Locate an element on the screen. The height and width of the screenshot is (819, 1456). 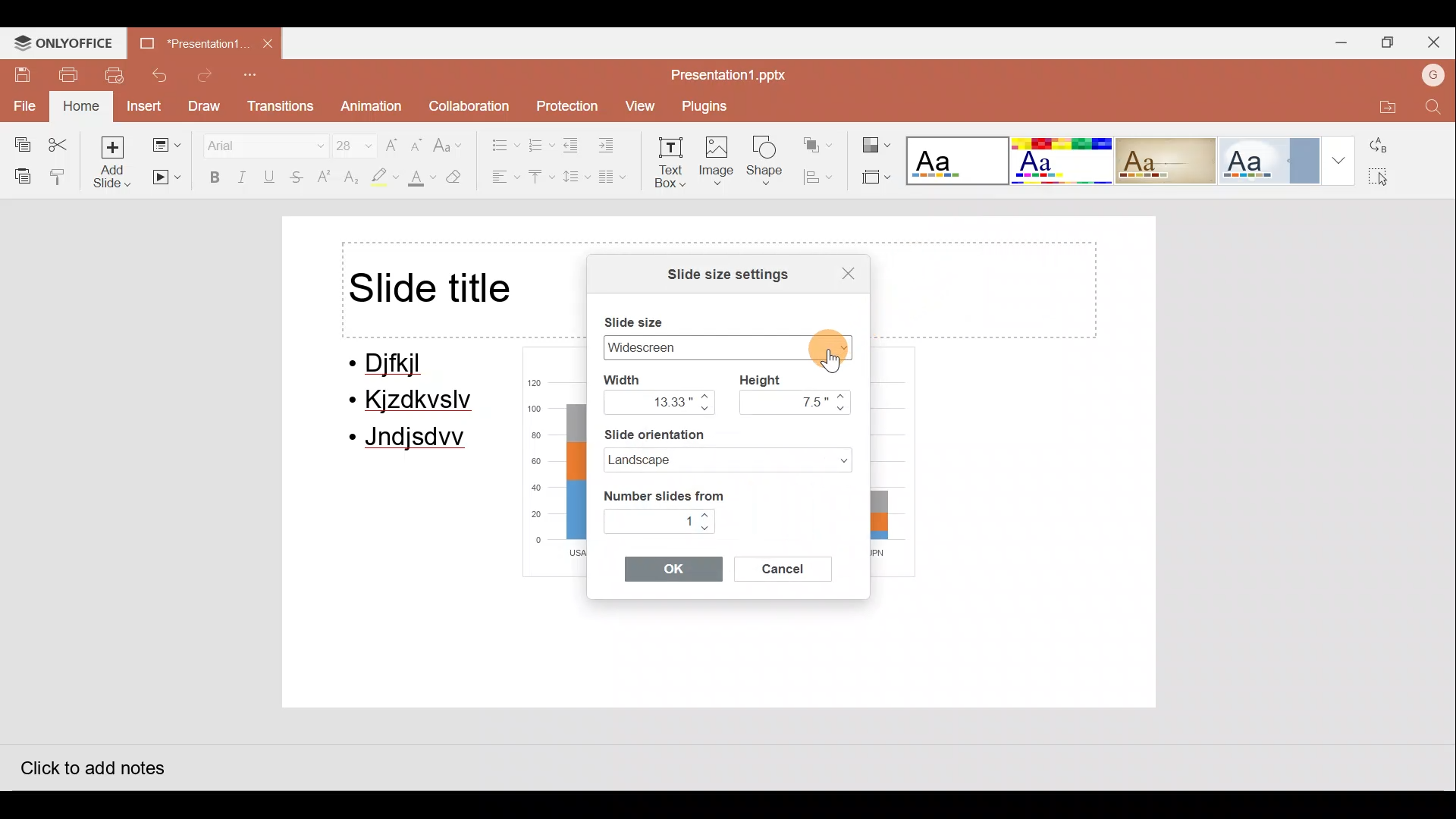
Minimize is located at coordinates (1336, 45).